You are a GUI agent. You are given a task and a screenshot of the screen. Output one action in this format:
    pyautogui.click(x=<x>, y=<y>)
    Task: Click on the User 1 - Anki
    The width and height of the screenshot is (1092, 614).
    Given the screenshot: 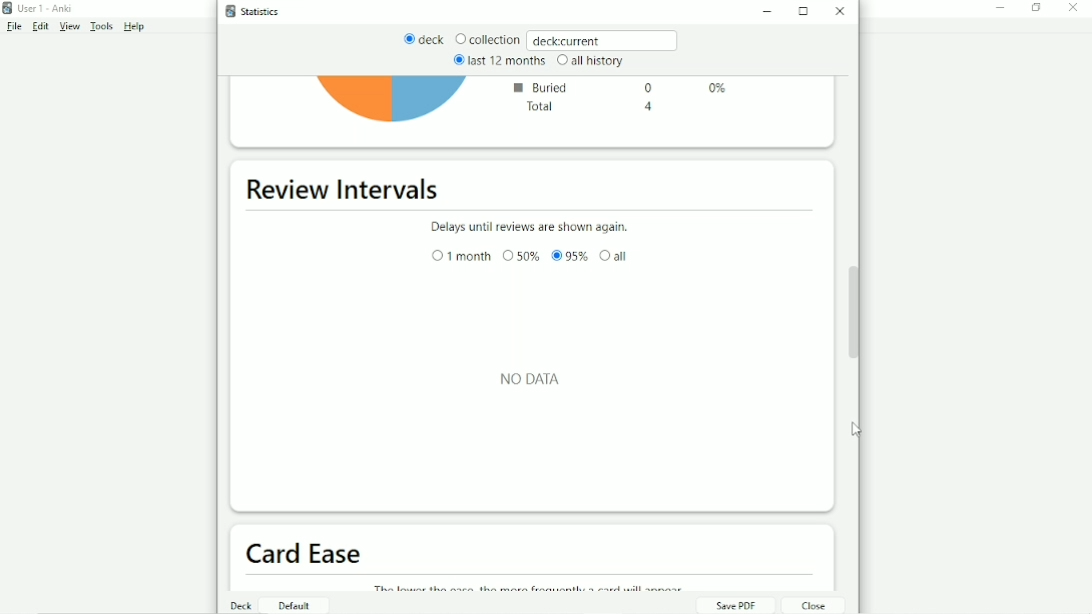 What is the action you would take?
    pyautogui.click(x=45, y=8)
    